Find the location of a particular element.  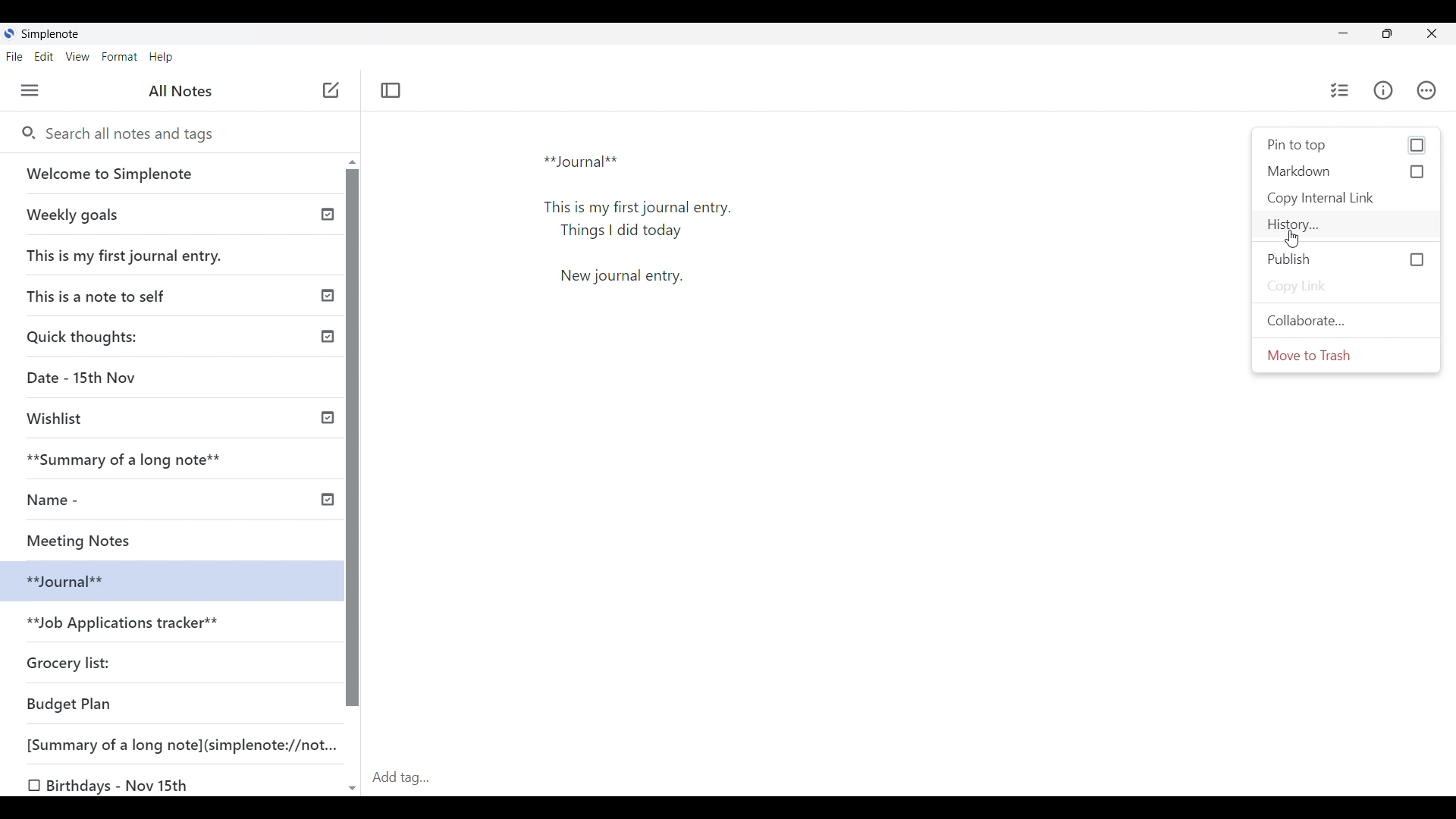

Show interface in a smaller tab is located at coordinates (1387, 33).